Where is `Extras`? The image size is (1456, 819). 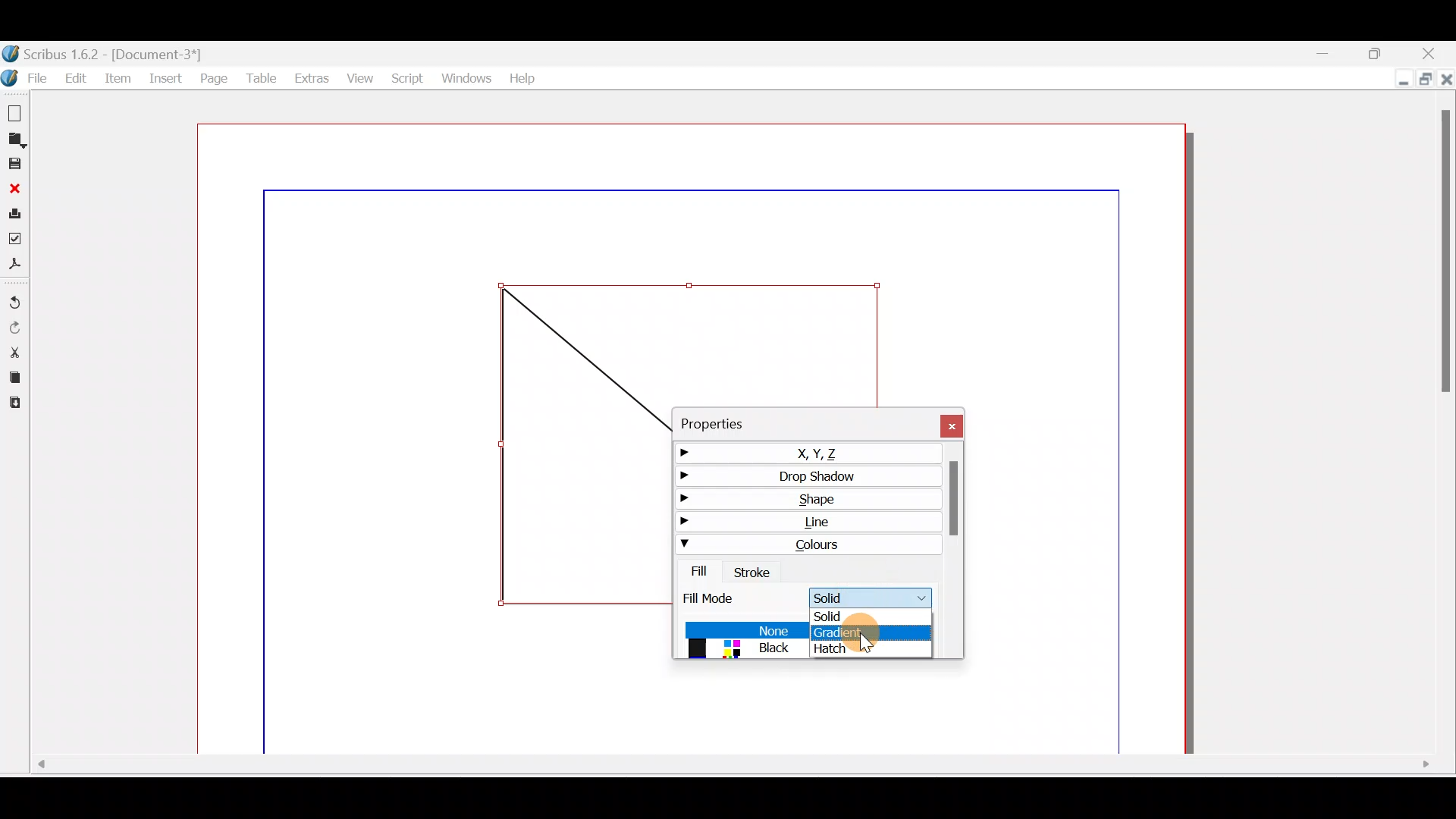
Extras is located at coordinates (308, 76).